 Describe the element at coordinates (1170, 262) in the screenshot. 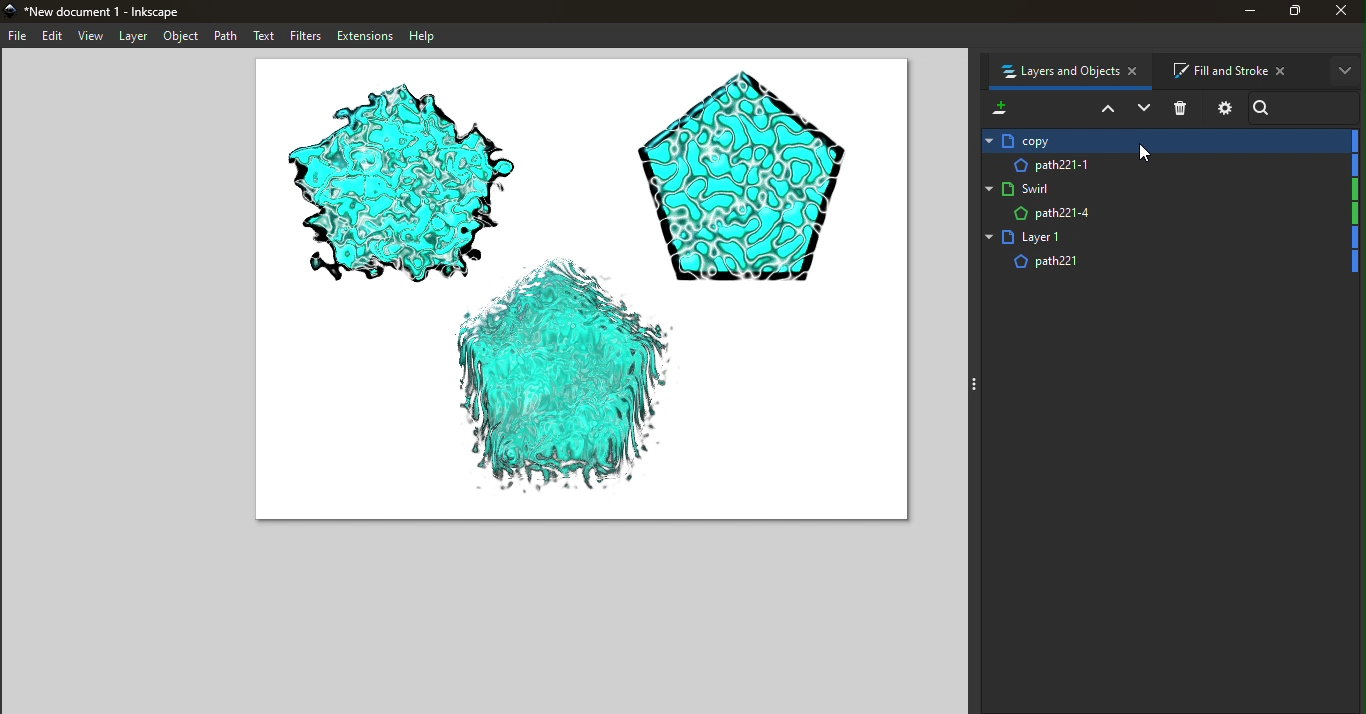

I see `Layer` at that location.